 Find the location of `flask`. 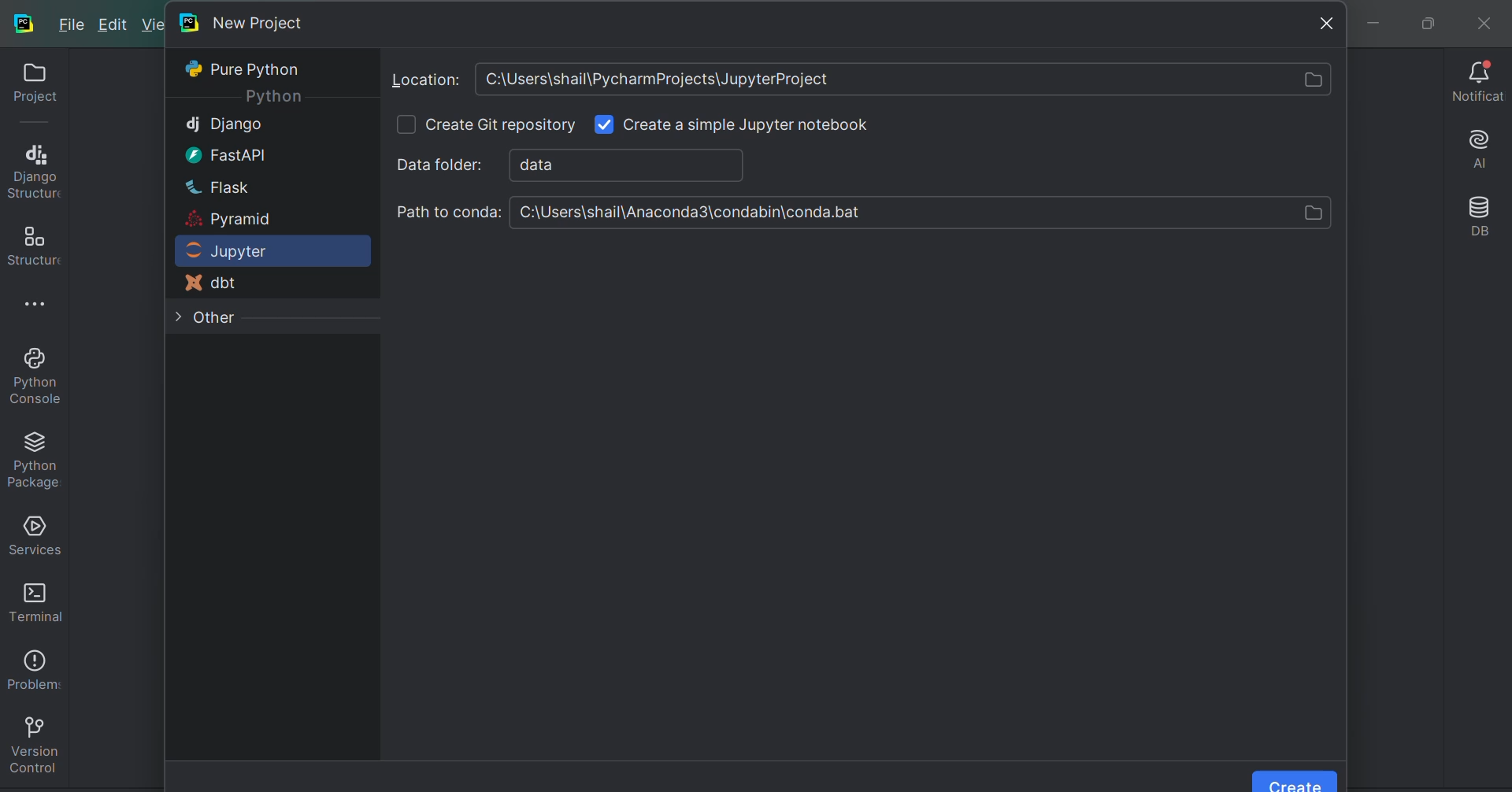

flask is located at coordinates (216, 186).